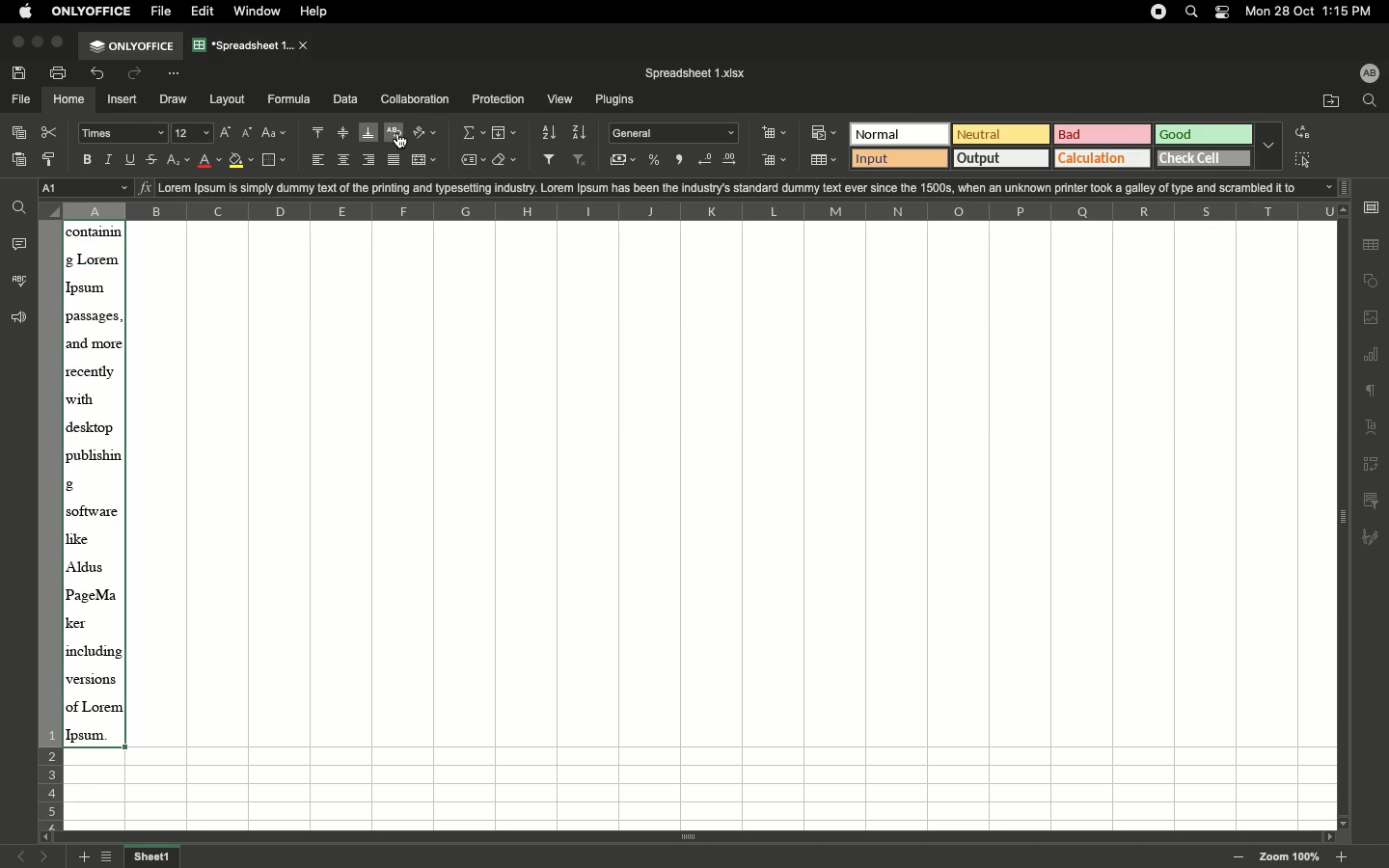  What do you see at coordinates (1159, 13) in the screenshot?
I see `Recording` at bounding box center [1159, 13].